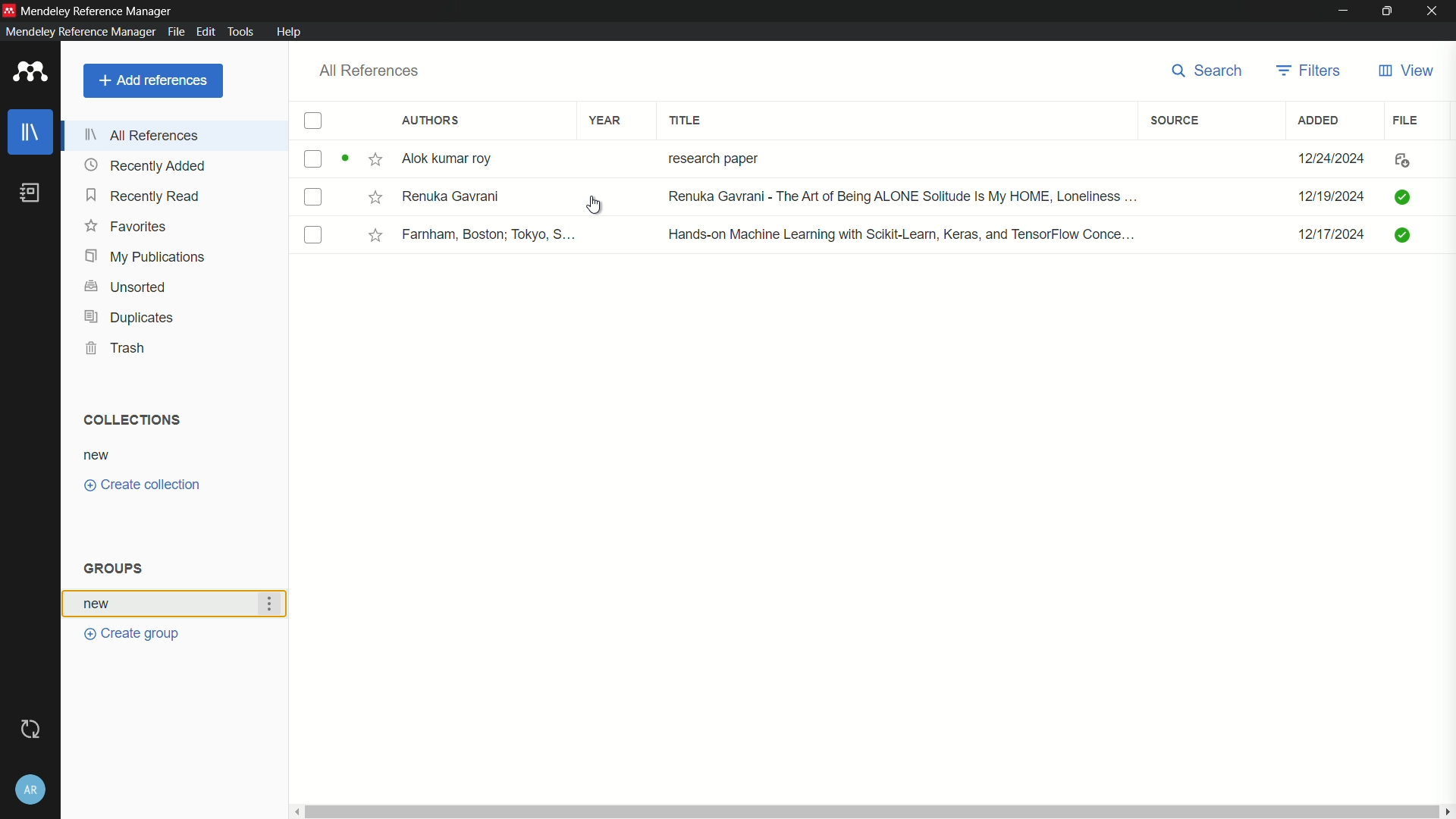 This screenshot has width=1456, height=819. I want to click on title, so click(687, 121).